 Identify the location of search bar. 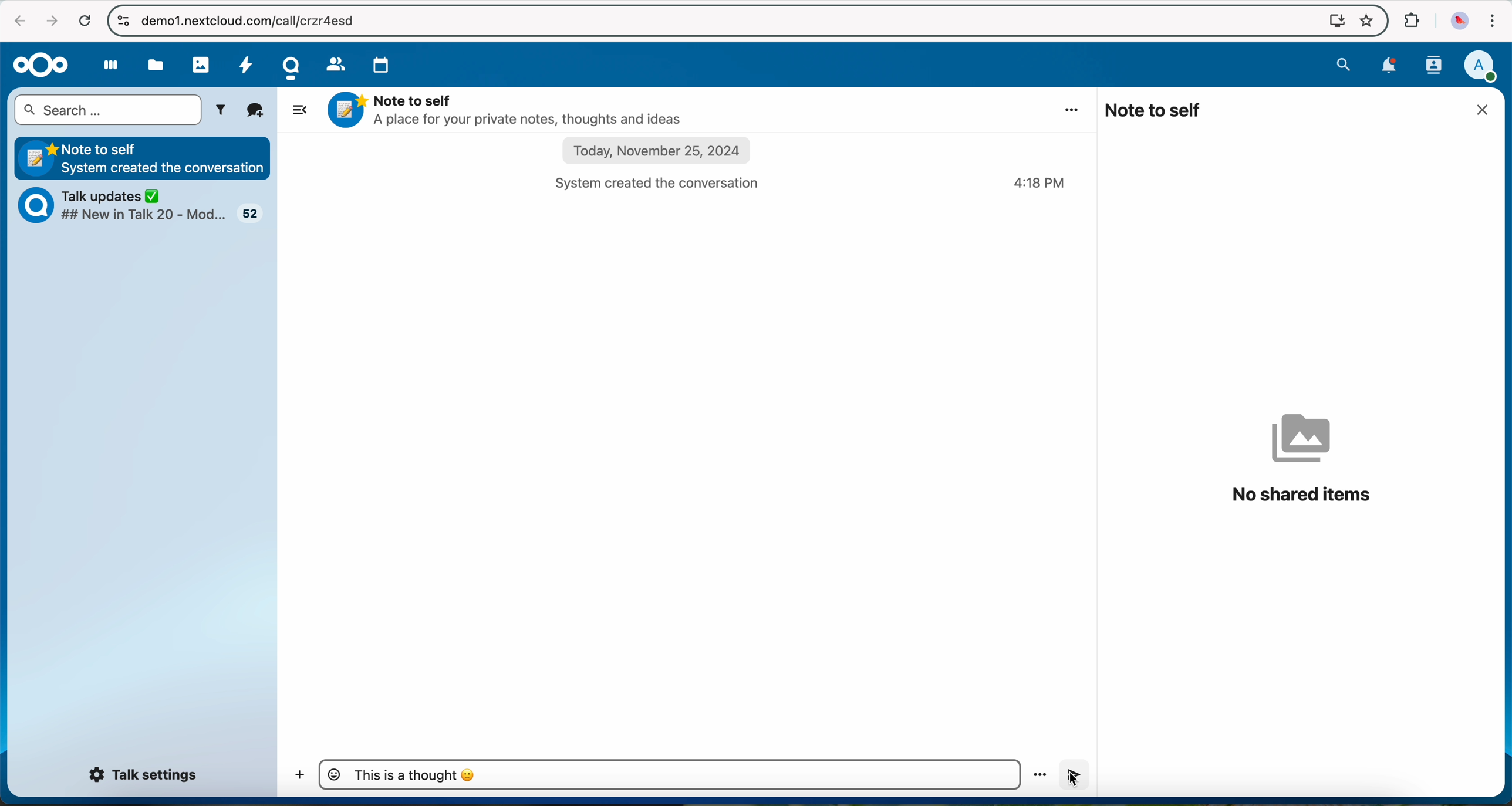
(107, 110).